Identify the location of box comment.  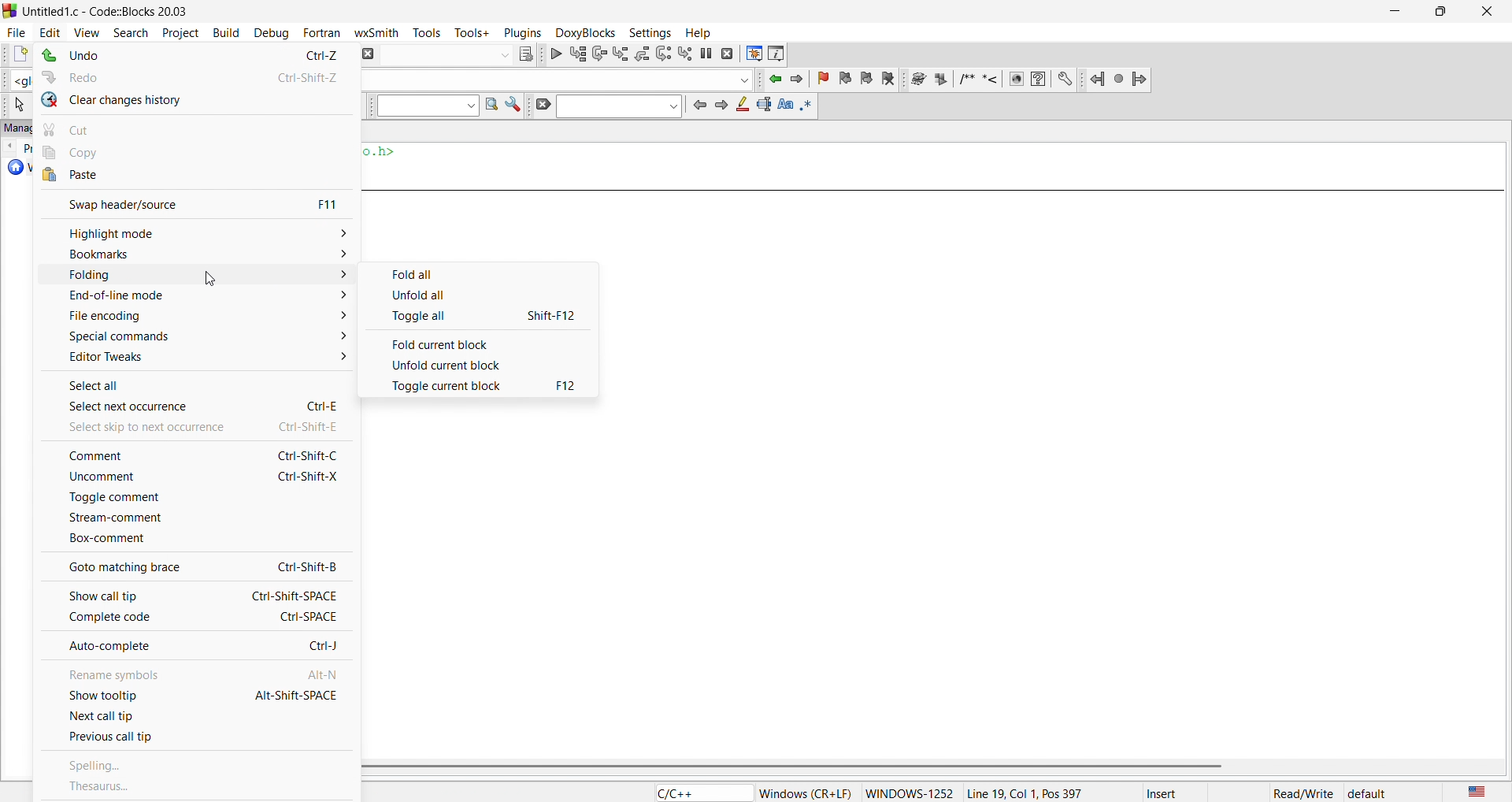
(192, 540).